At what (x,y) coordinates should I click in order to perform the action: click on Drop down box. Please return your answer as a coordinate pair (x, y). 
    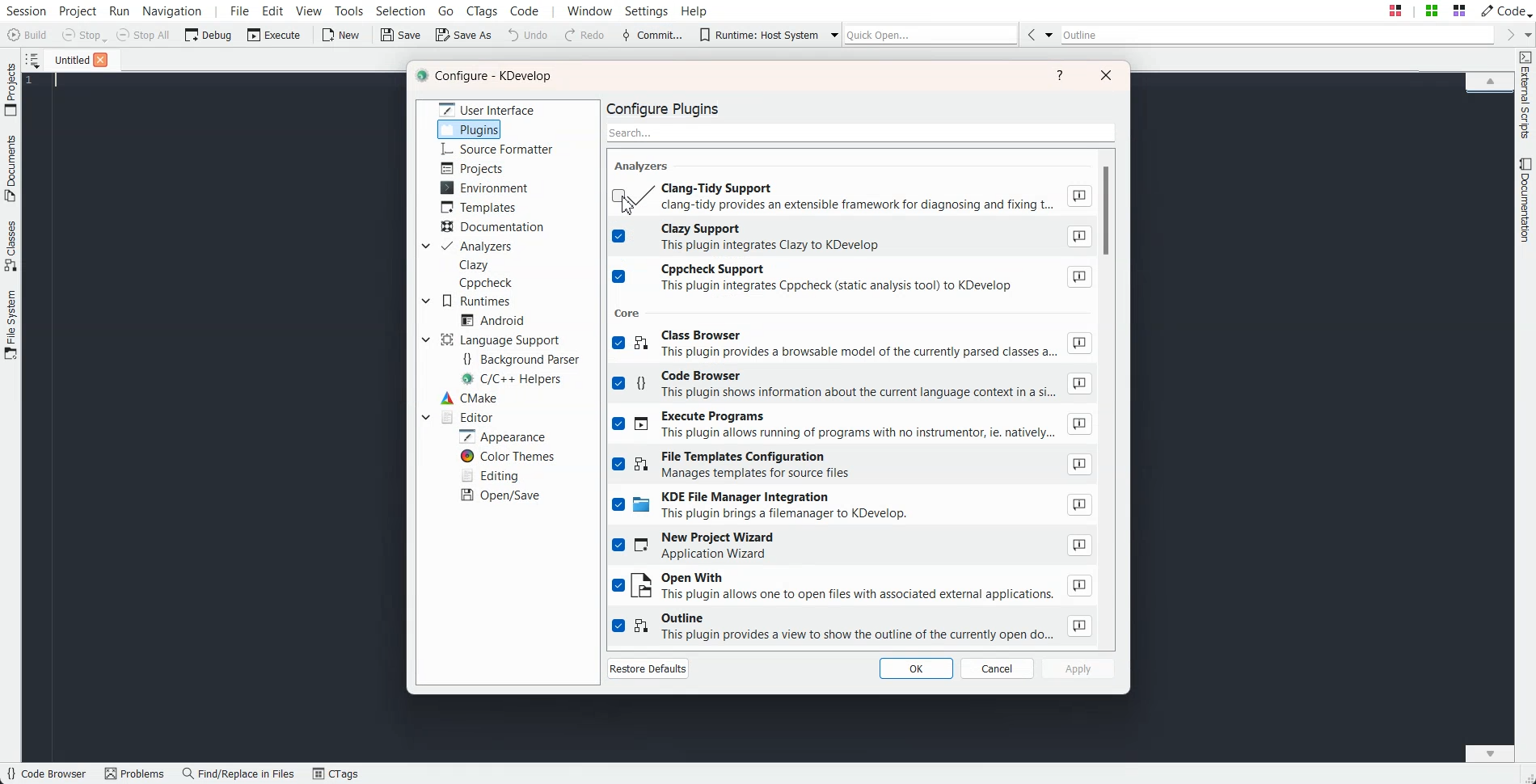
    Looking at the image, I should click on (1526, 34).